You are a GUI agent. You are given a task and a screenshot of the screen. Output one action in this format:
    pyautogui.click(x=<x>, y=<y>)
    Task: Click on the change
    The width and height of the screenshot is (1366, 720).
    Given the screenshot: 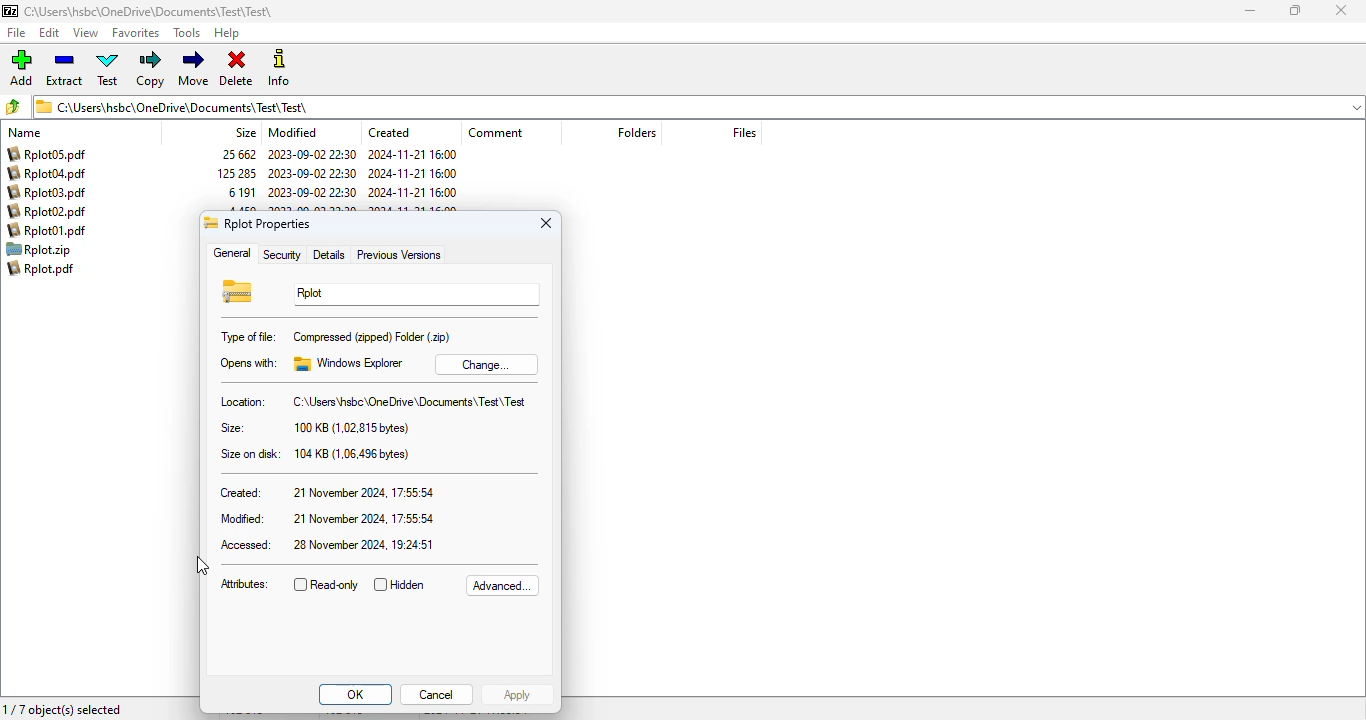 What is the action you would take?
    pyautogui.click(x=482, y=365)
    